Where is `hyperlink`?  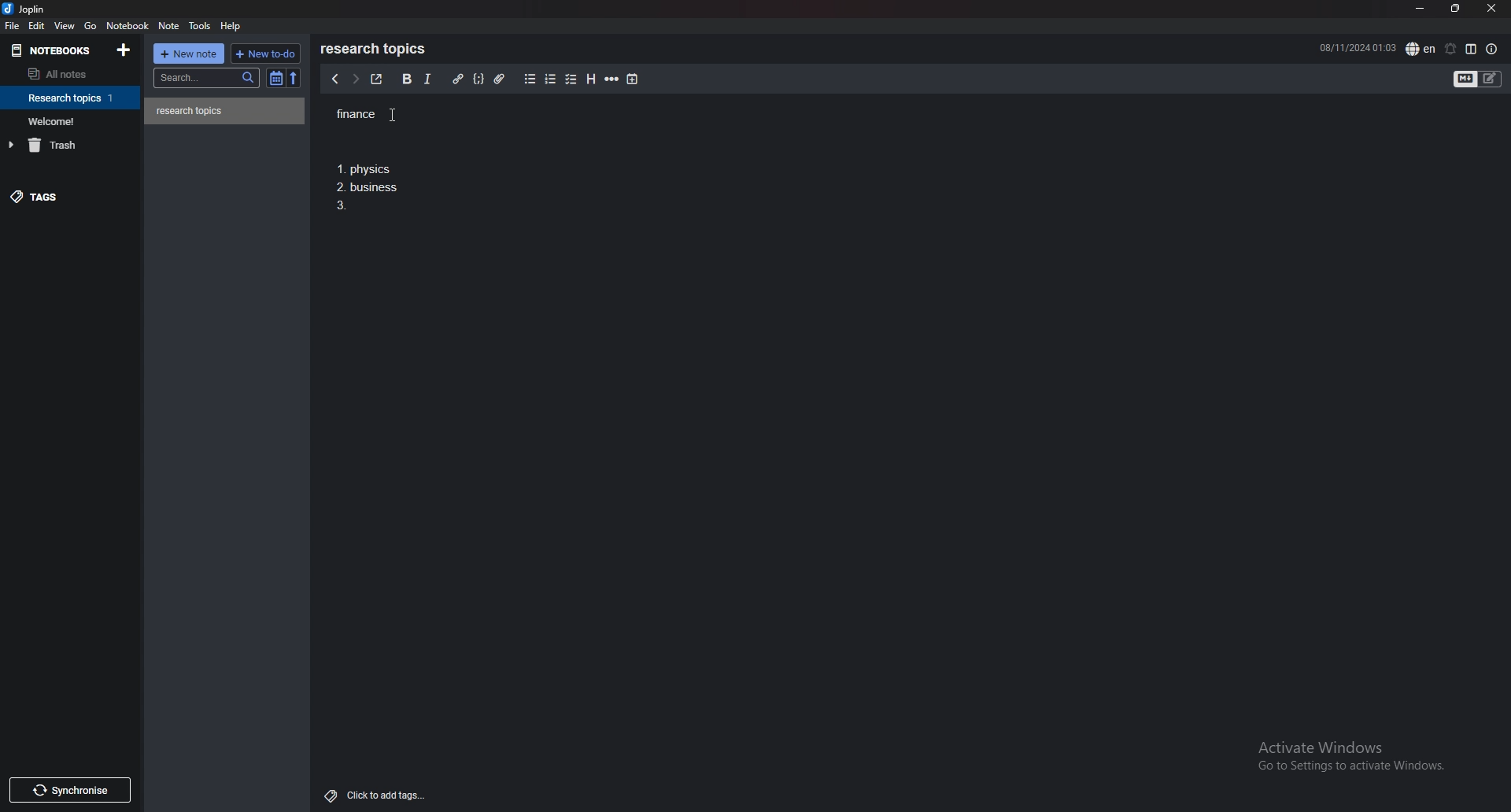
hyperlink is located at coordinates (457, 79).